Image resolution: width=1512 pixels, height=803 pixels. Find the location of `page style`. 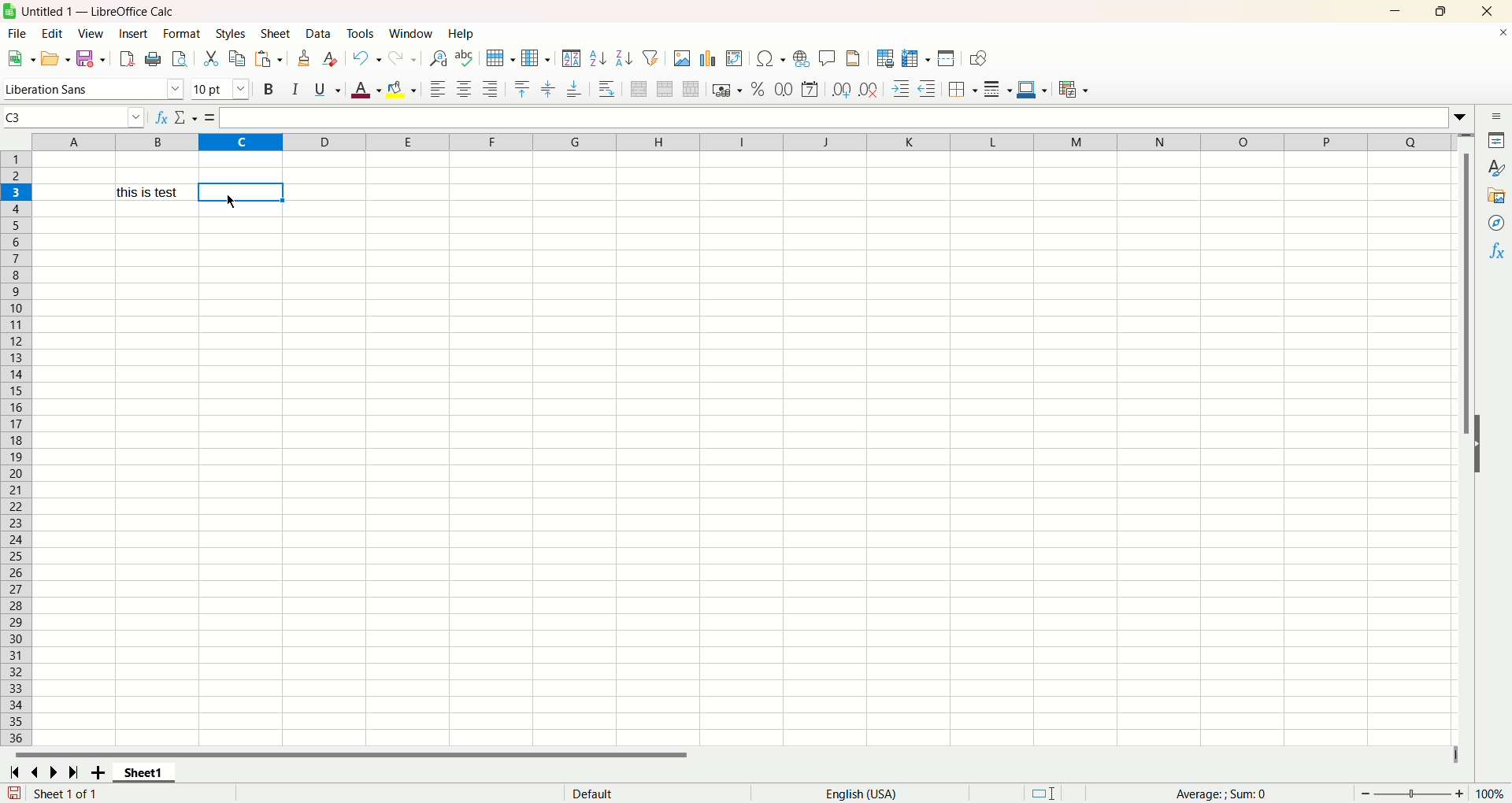

page style is located at coordinates (593, 793).